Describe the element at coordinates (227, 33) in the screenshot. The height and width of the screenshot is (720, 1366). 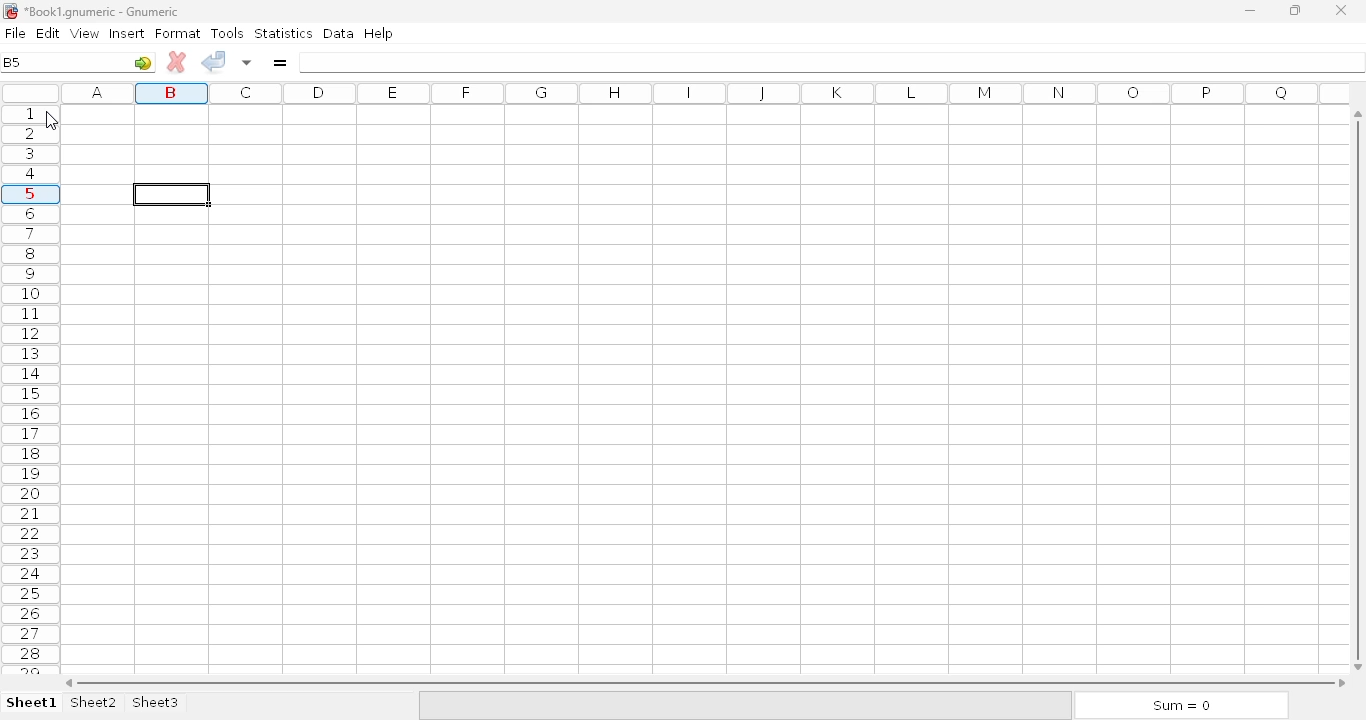
I see `tools` at that location.